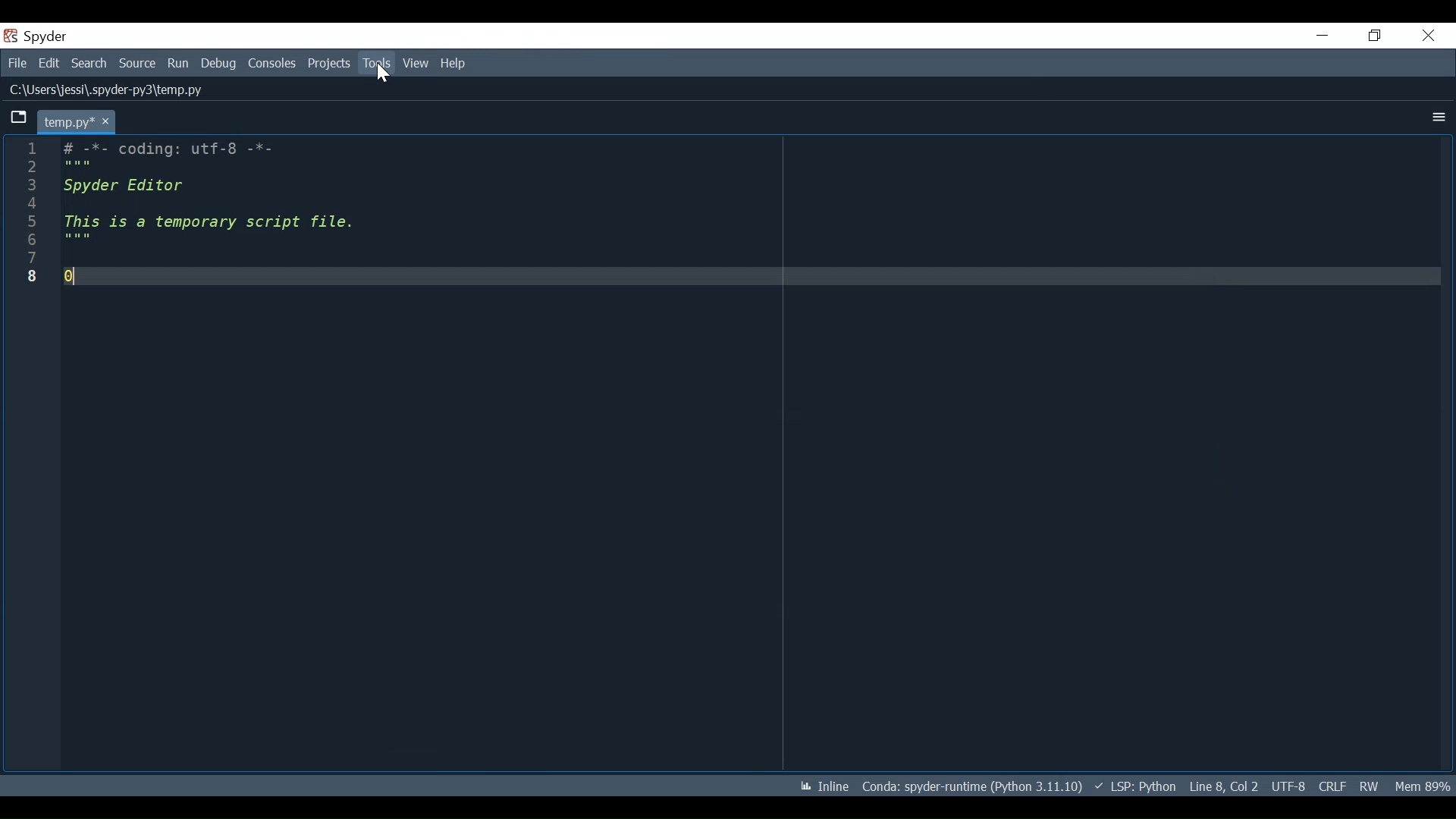  I want to click on Run, so click(180, 64).